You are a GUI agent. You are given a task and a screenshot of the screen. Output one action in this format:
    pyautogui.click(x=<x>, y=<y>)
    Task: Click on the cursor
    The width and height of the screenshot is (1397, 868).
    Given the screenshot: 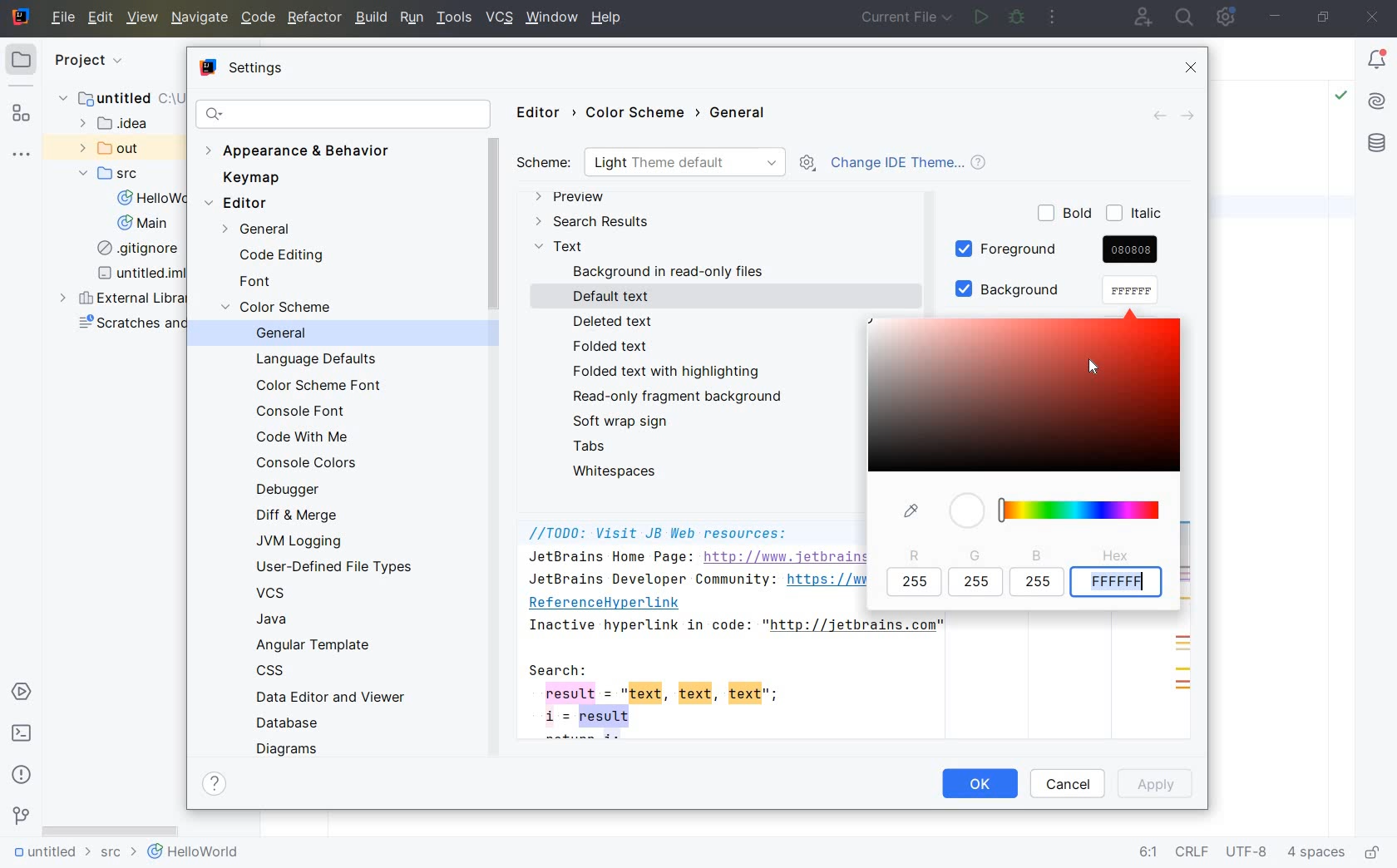 What is the action you would take?
    pyautogui.click(x=1086, y=362)
    